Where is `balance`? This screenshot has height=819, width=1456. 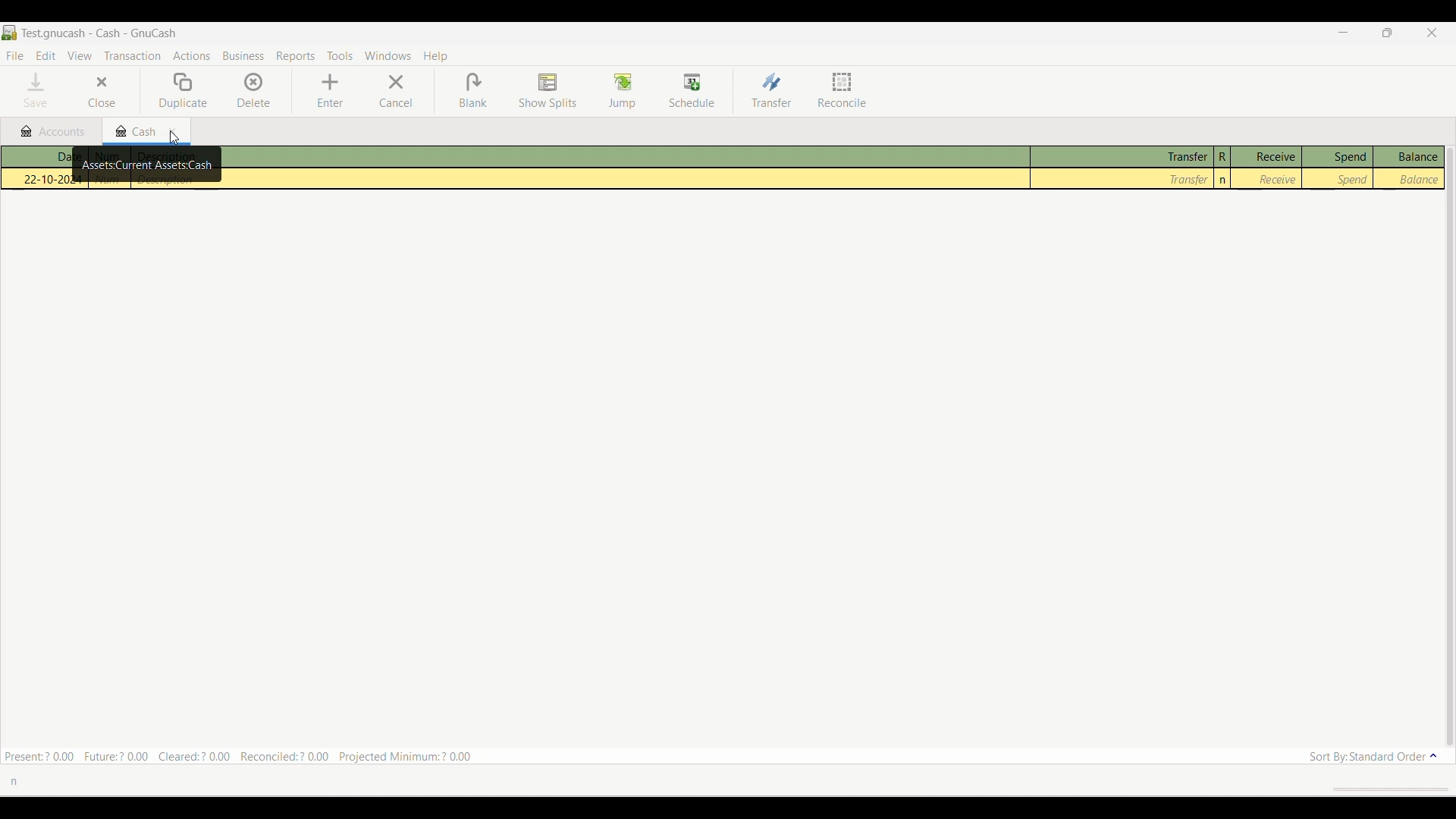 balance is located at coordinates (1409, 178).